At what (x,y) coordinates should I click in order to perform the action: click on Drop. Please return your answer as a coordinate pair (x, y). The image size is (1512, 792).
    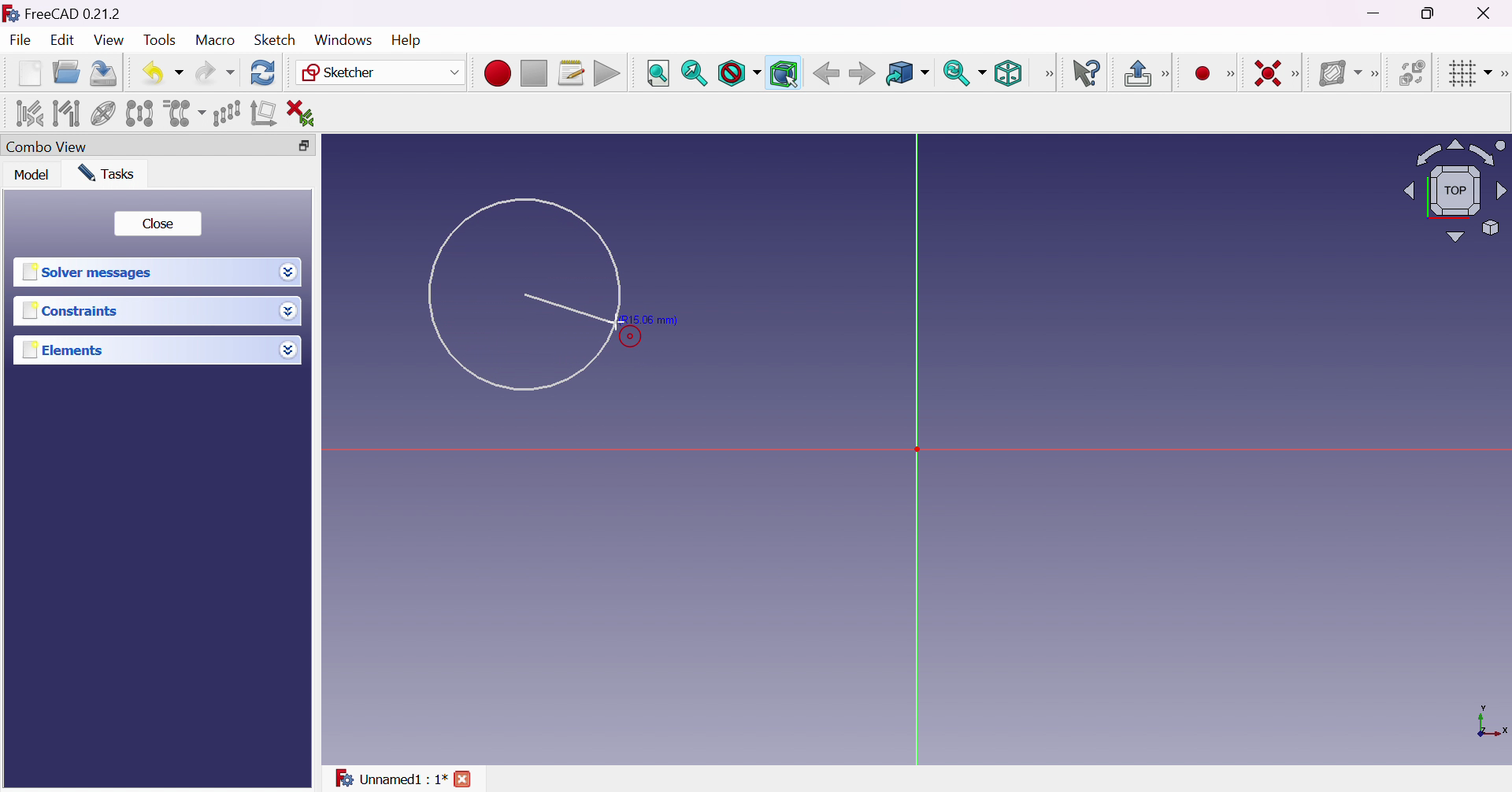
    Looking at the image, I should click on (291, 313).